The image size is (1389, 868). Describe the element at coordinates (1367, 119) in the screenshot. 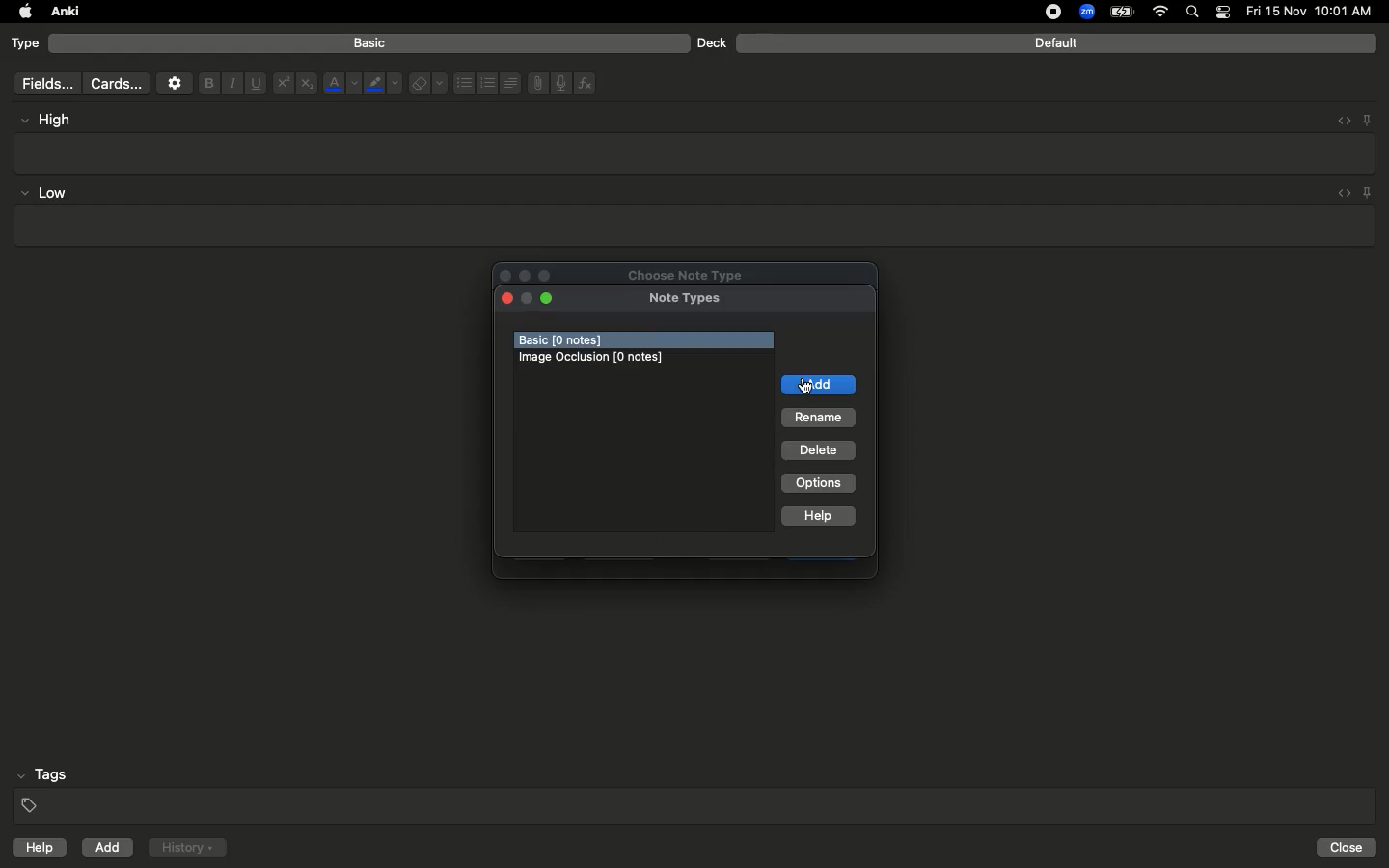

I see `Pin` at that location.